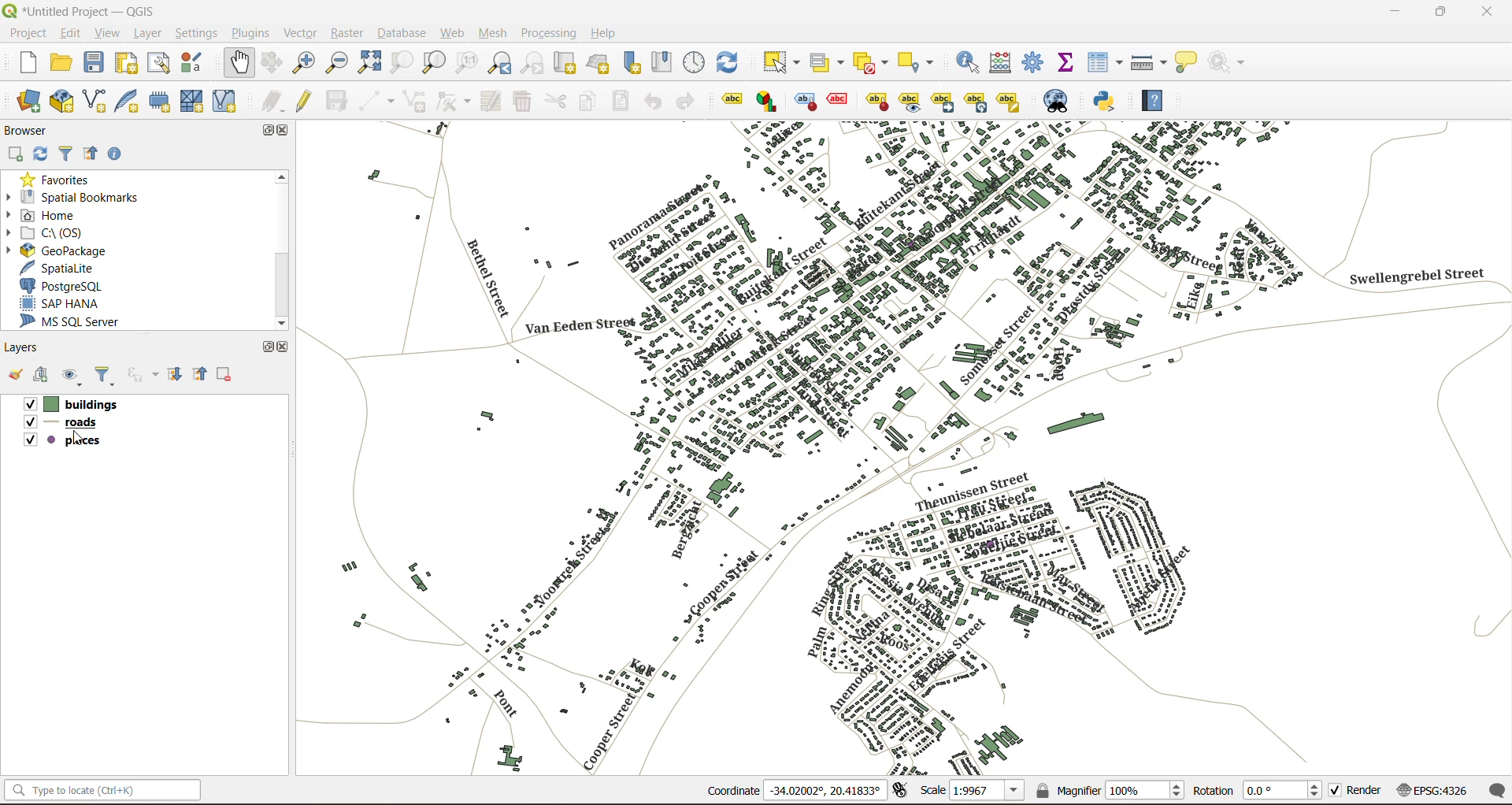 The width and height of the screenshot is (1512, 805). What do you see at coordinates (1106, 97) in the screenshot?
I see `python` at bounding box center [1106, 97].